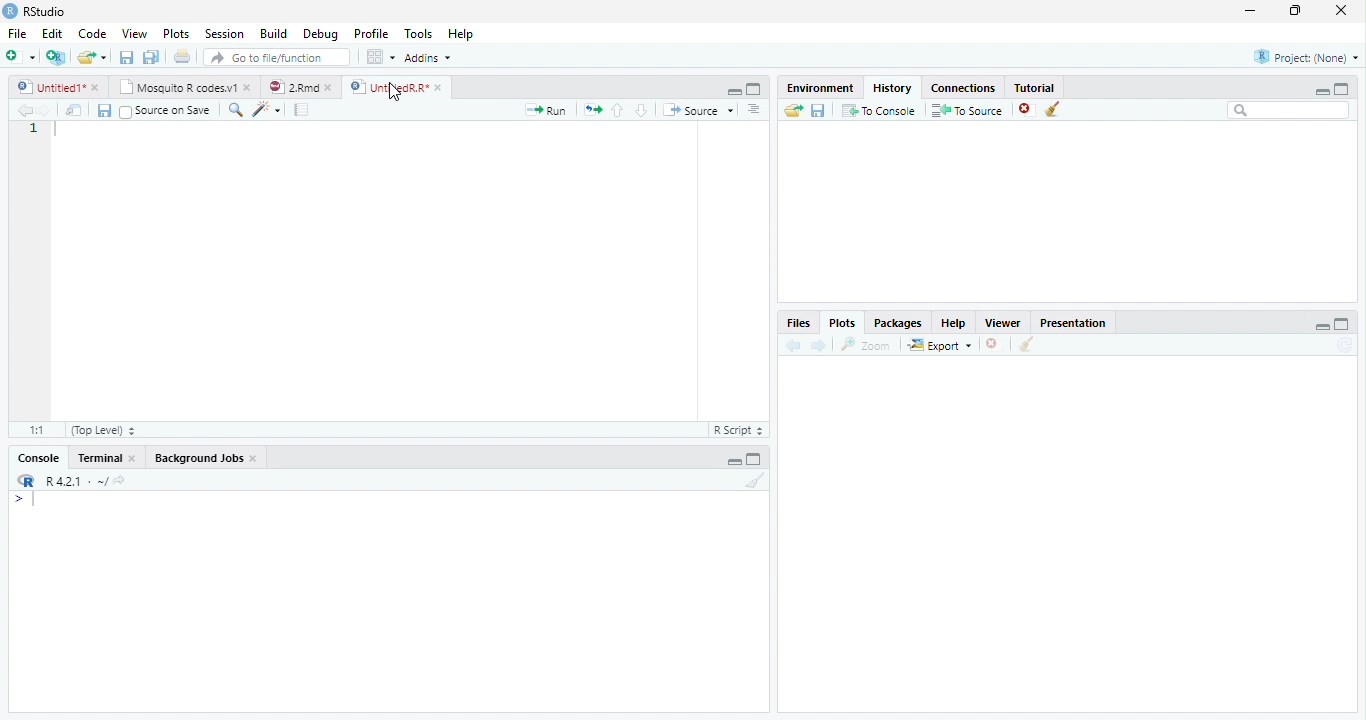 The image size is (1366, 720). What do you see at coordinates (940, 345) in the screenshot?
I see `Export` at bounding box center [940, 345].